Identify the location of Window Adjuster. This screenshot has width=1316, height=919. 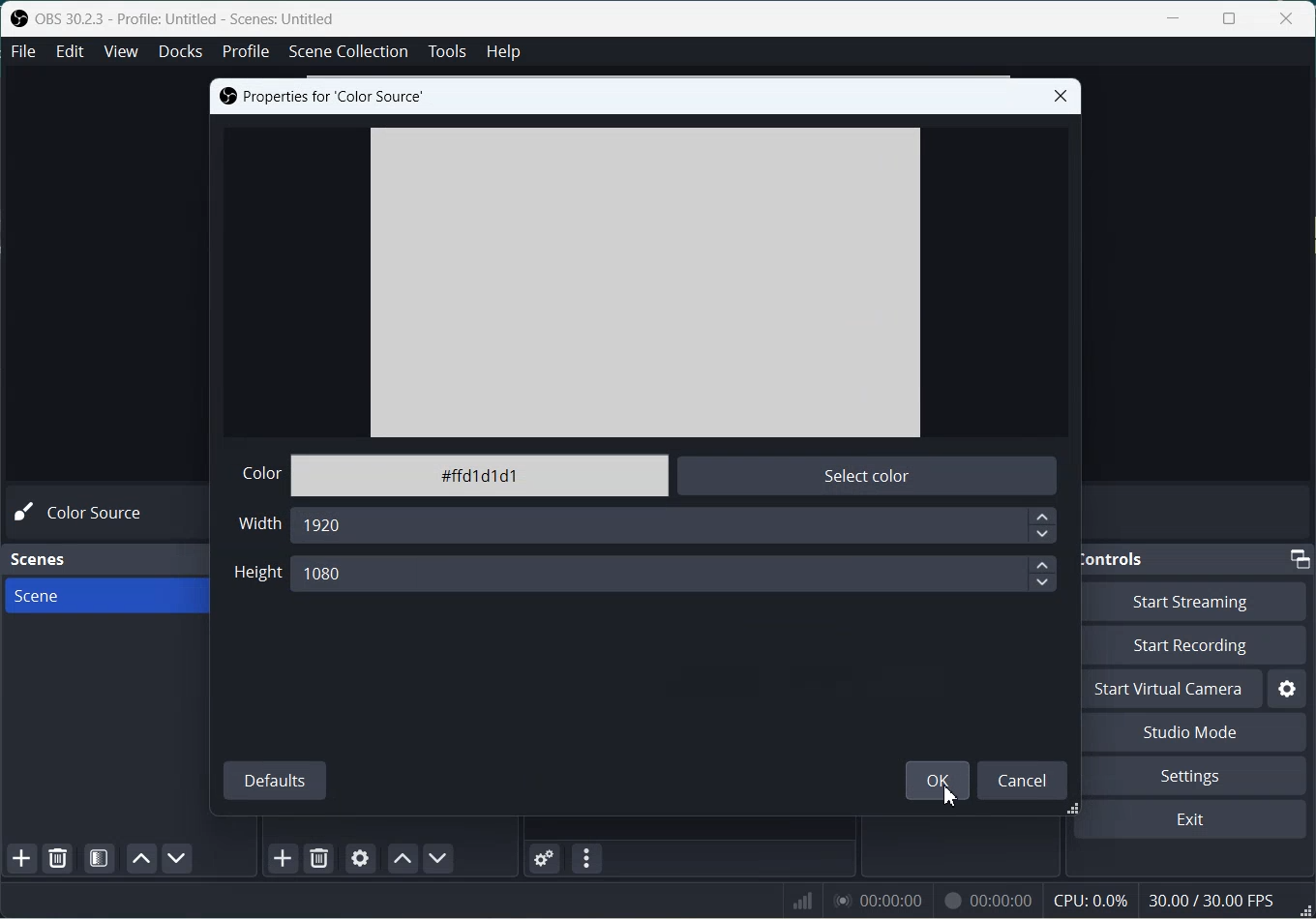
(1076, 811).